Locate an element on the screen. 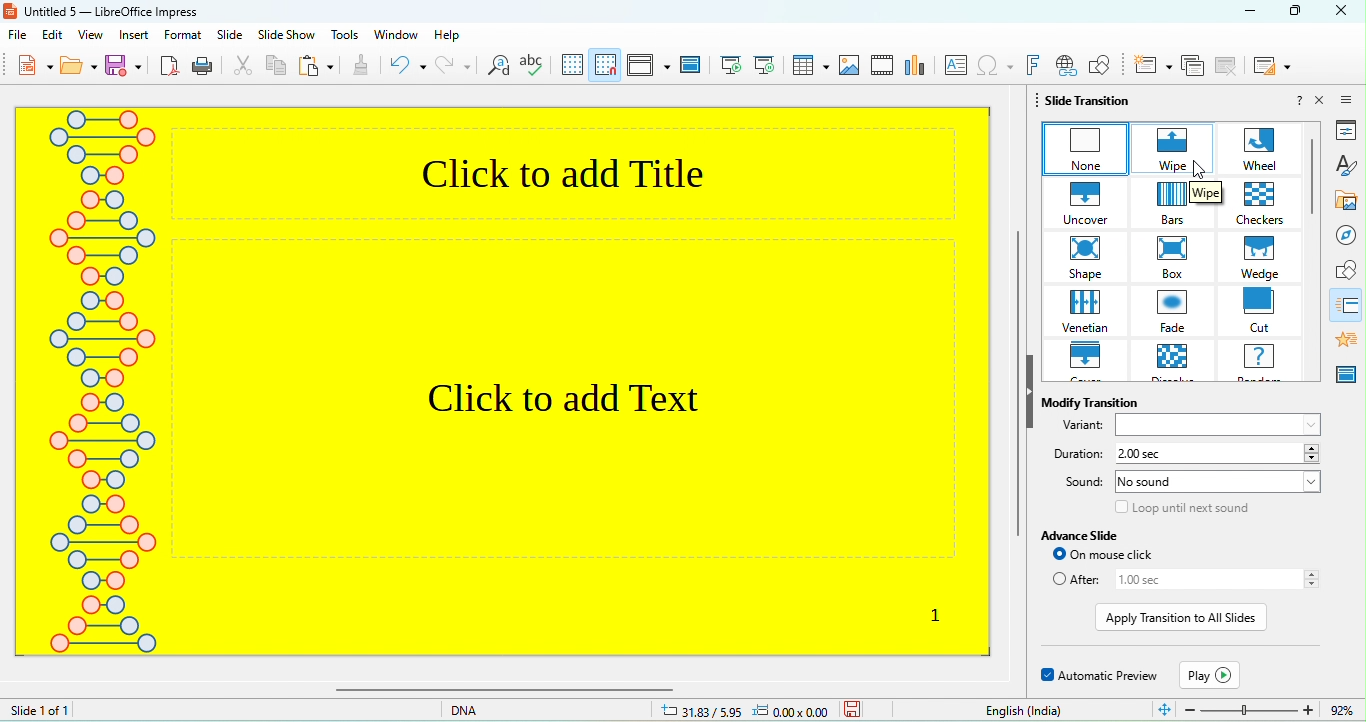  click to add text is located at coordinates (562, 396).